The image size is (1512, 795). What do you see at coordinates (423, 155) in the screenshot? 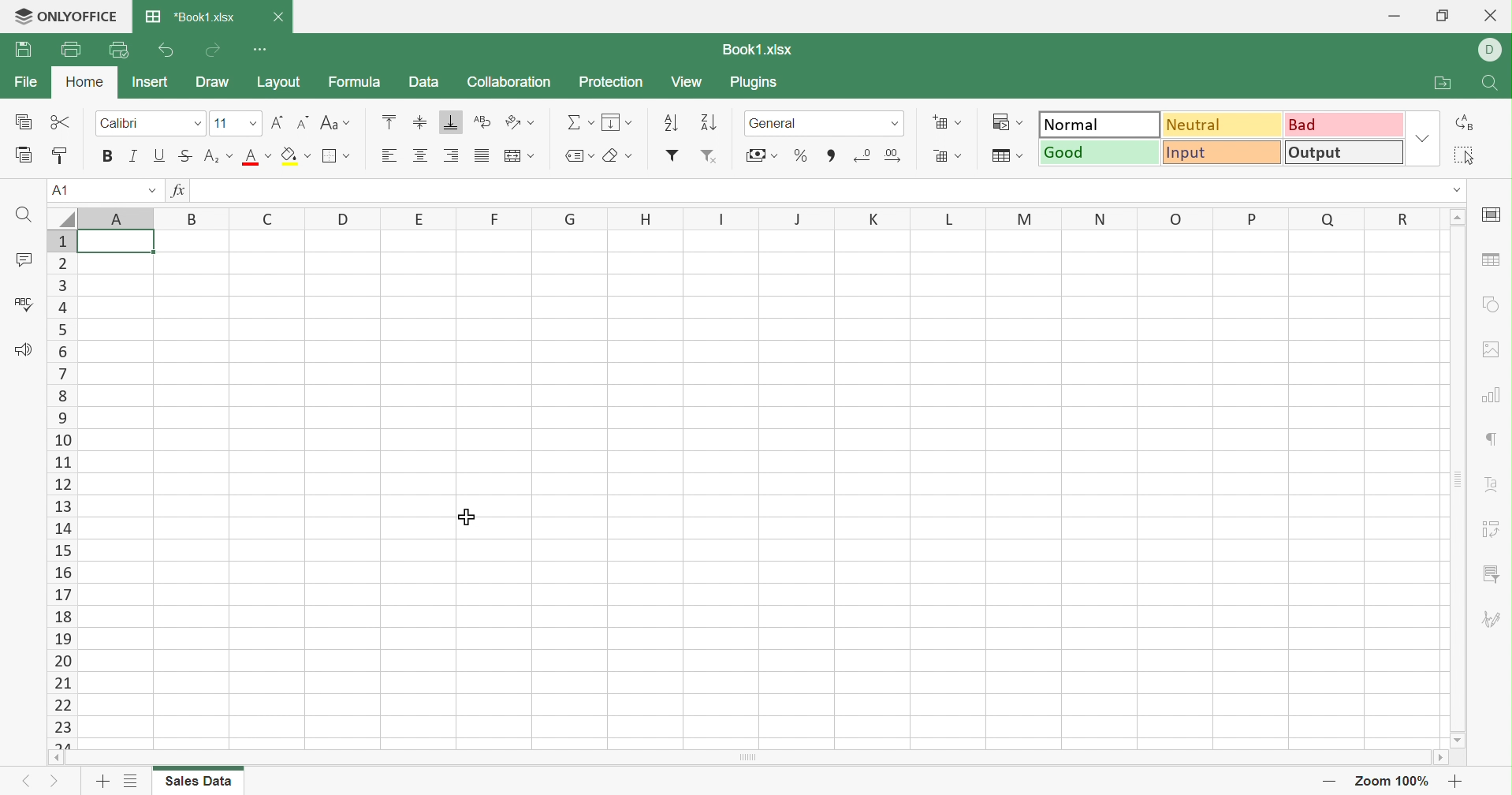
I see `Align Center` at bounding box center [423, 155].